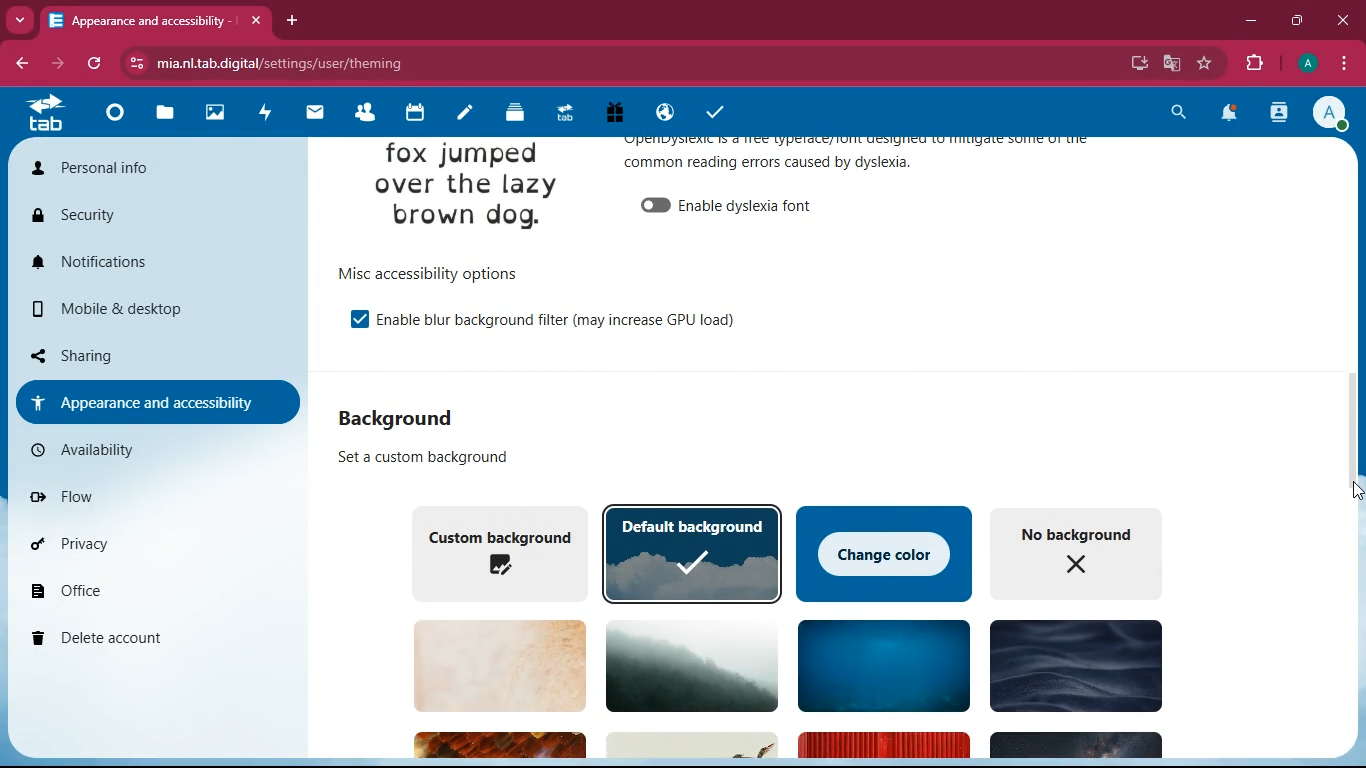 The image size is (1366, 768). Describe the element at coordinates (357, 318) in the screenshot. I see `on` at that location.